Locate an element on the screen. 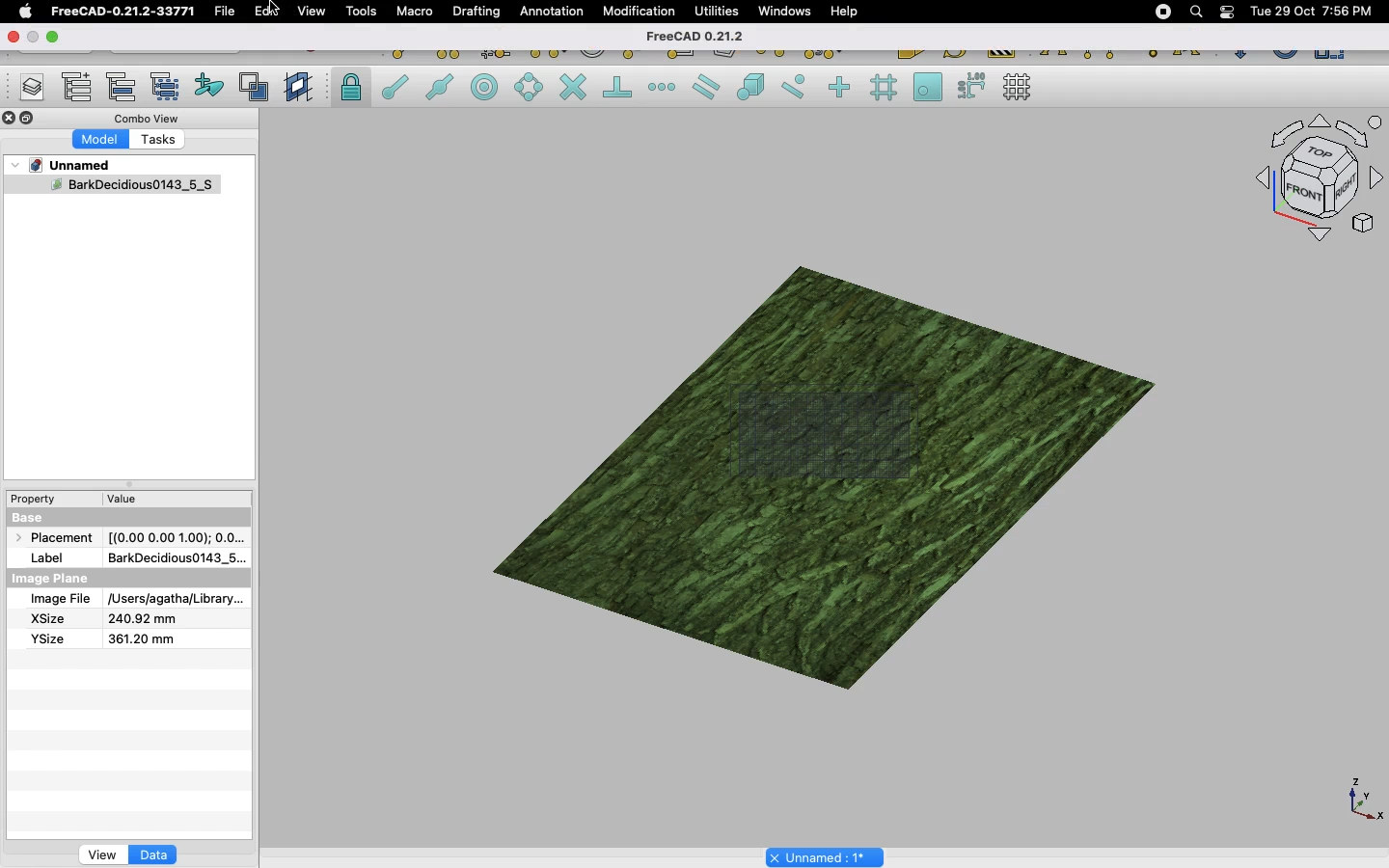 The height and width of the screenshot is (868, 1389). View is located at coordinates (102, 854).